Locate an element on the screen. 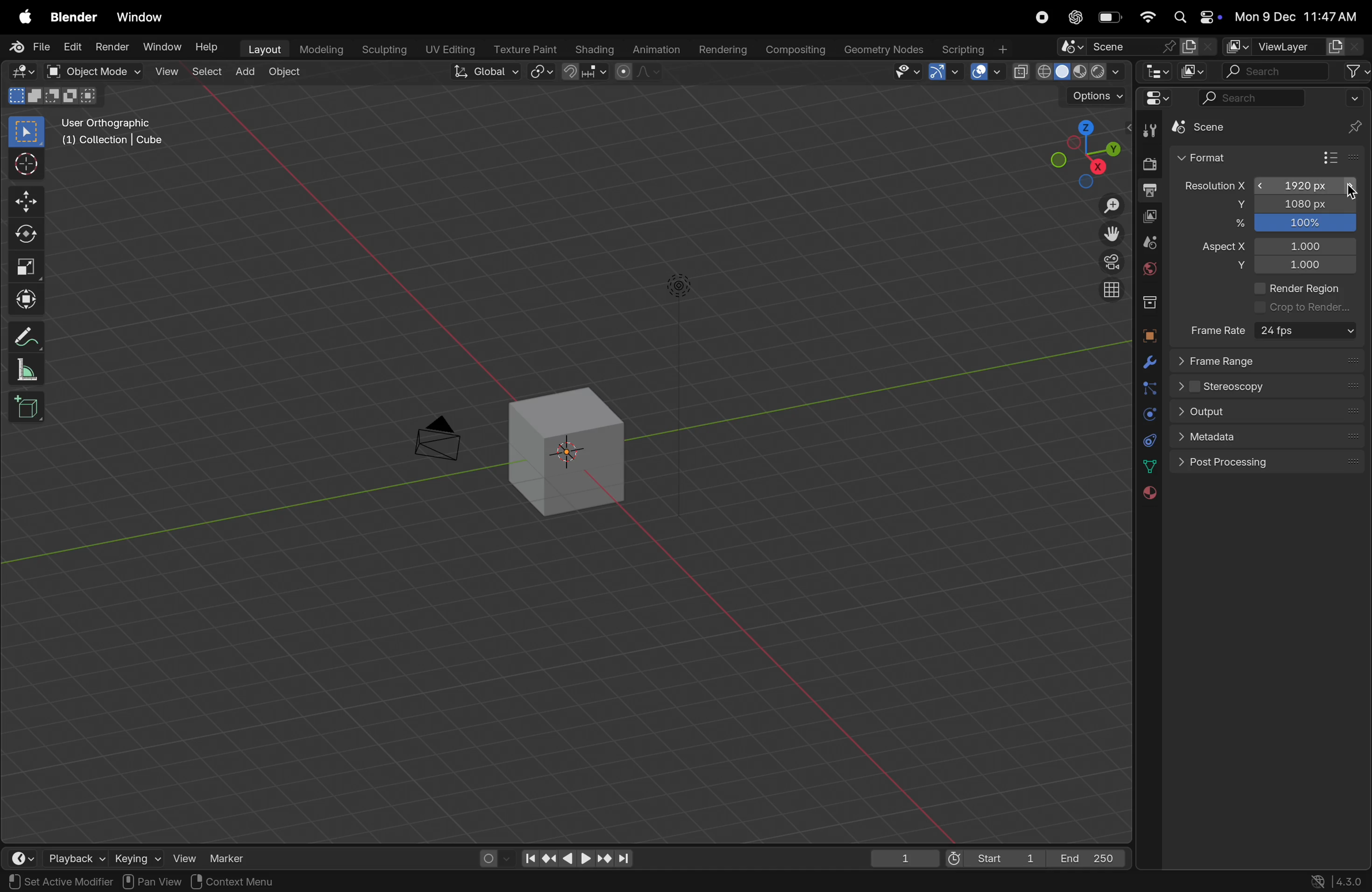 The width and height of the screenshot is (1372, 892). view layer is located at coordinates (1151, 216).